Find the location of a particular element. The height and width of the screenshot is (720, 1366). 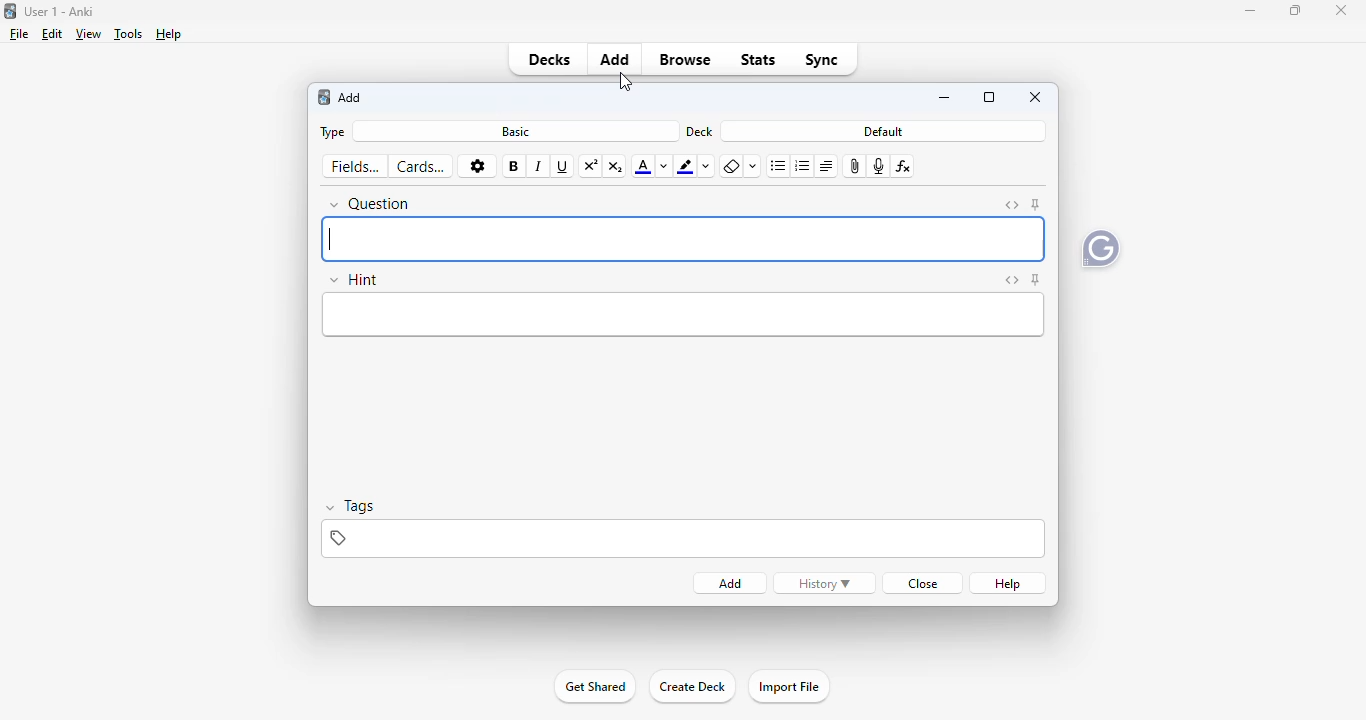

toggle sticky is located at coordinates (1036, 204).